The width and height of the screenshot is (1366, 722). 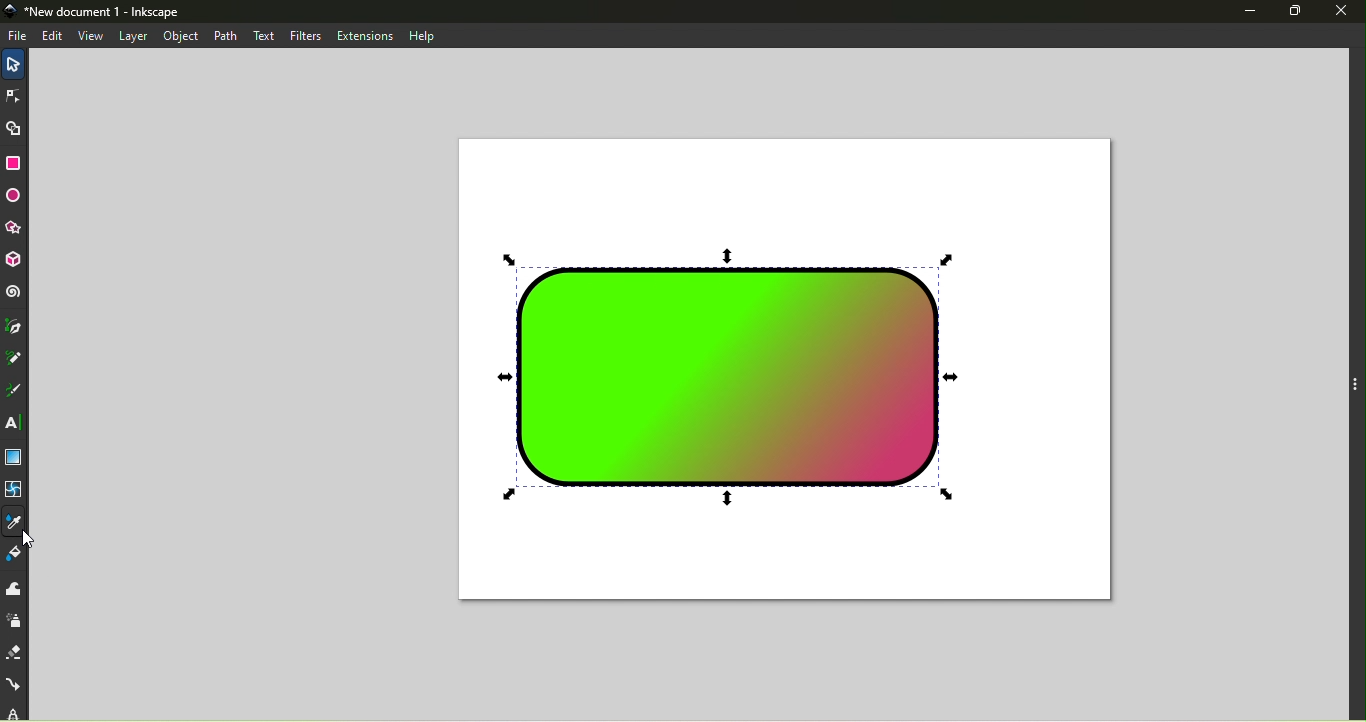 I want to click on cursor, so click(x=31, y=540).